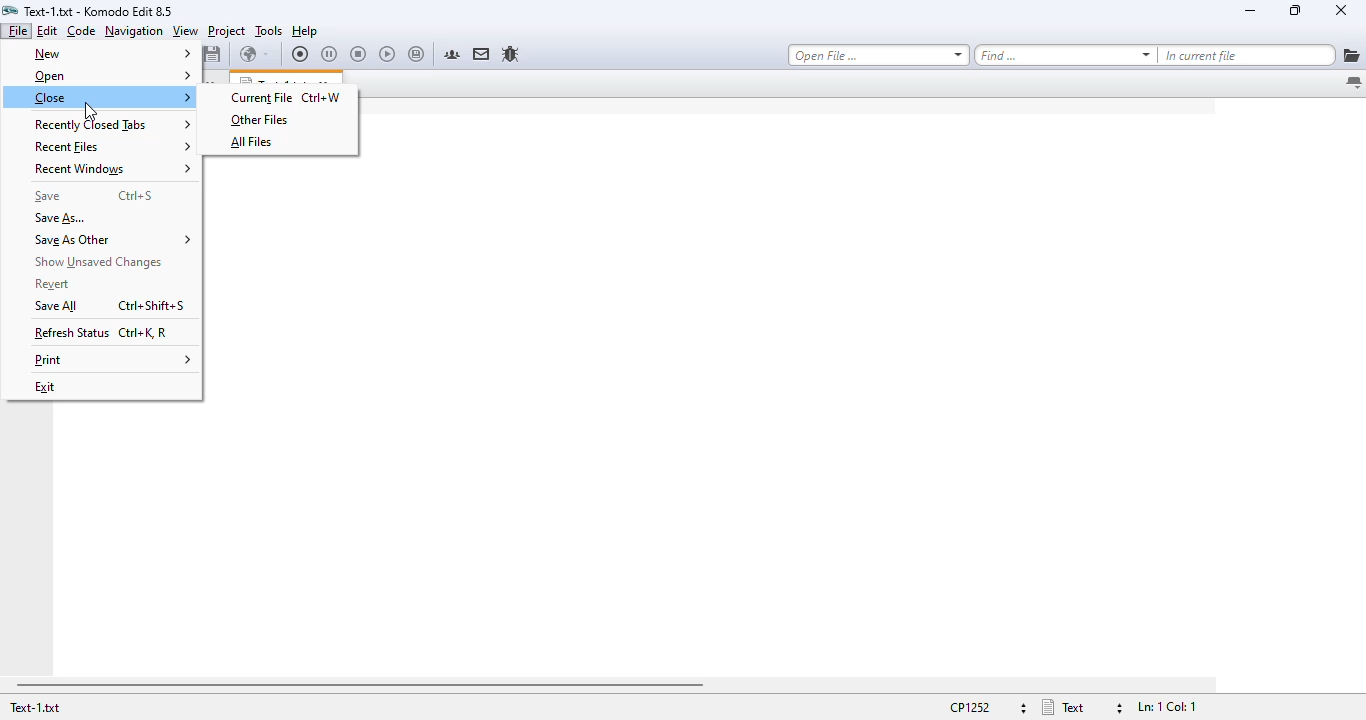 This screenshot has height=720, width=1366. Describe the element at coordinates (99, 11) in the screenshot. I see `text-1` at that location.